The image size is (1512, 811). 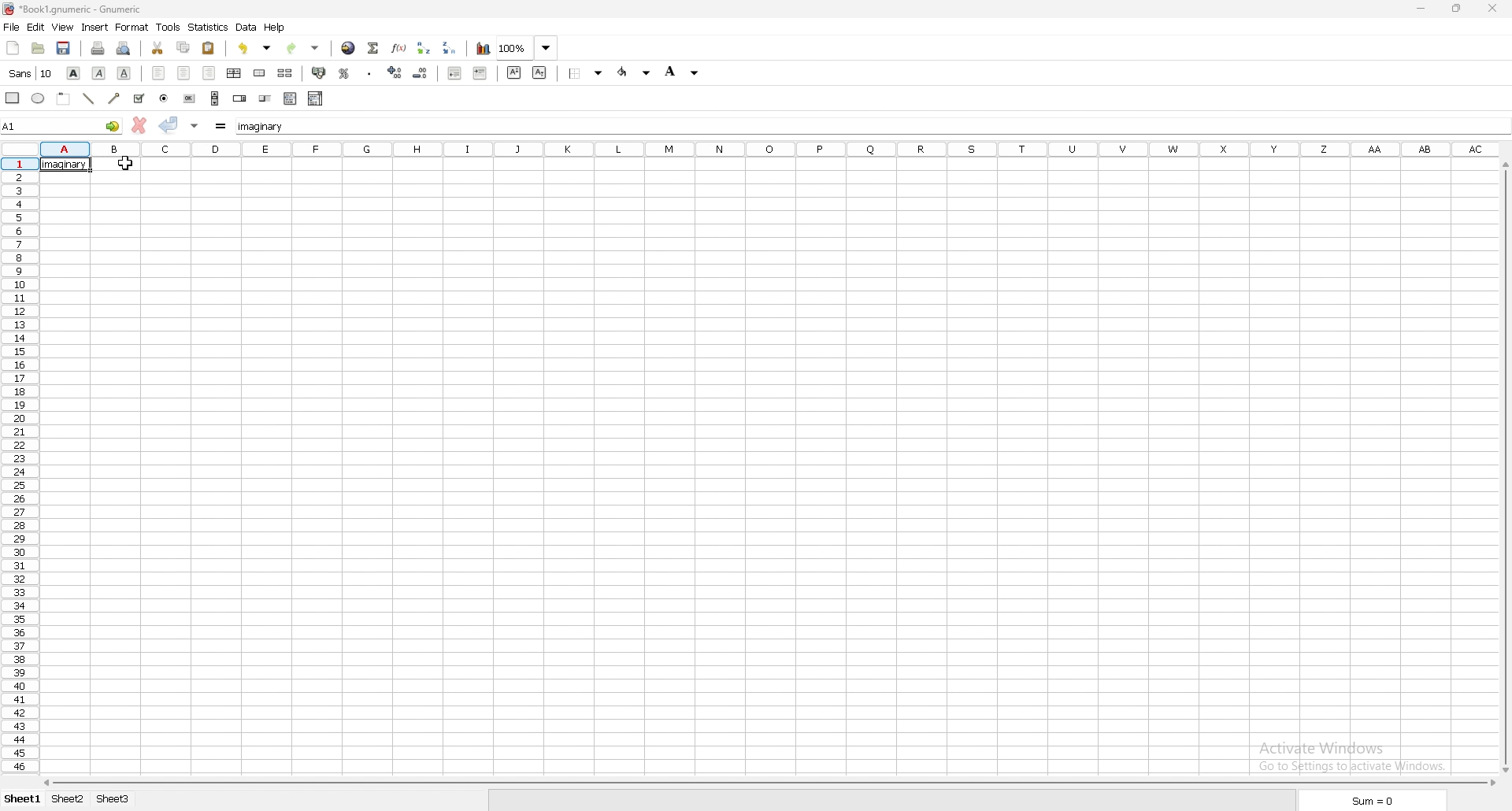 What do you see at coordinates (114, 98) in the screenshot?
I see `arrowed line` at bounding box center [114, 98].